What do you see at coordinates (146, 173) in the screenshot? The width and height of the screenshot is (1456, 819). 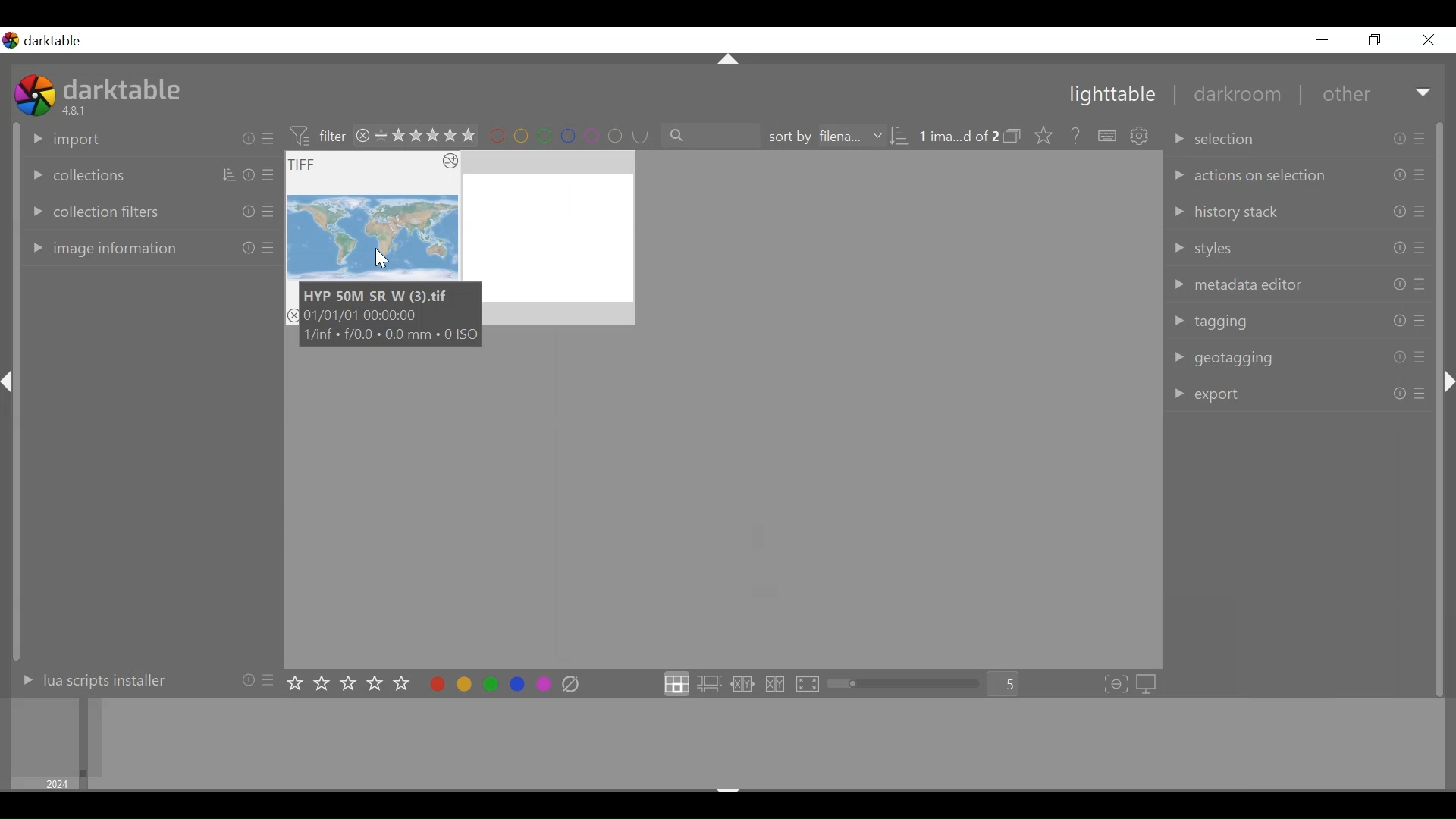 I see `Collection` at bounding box center [146, 173].